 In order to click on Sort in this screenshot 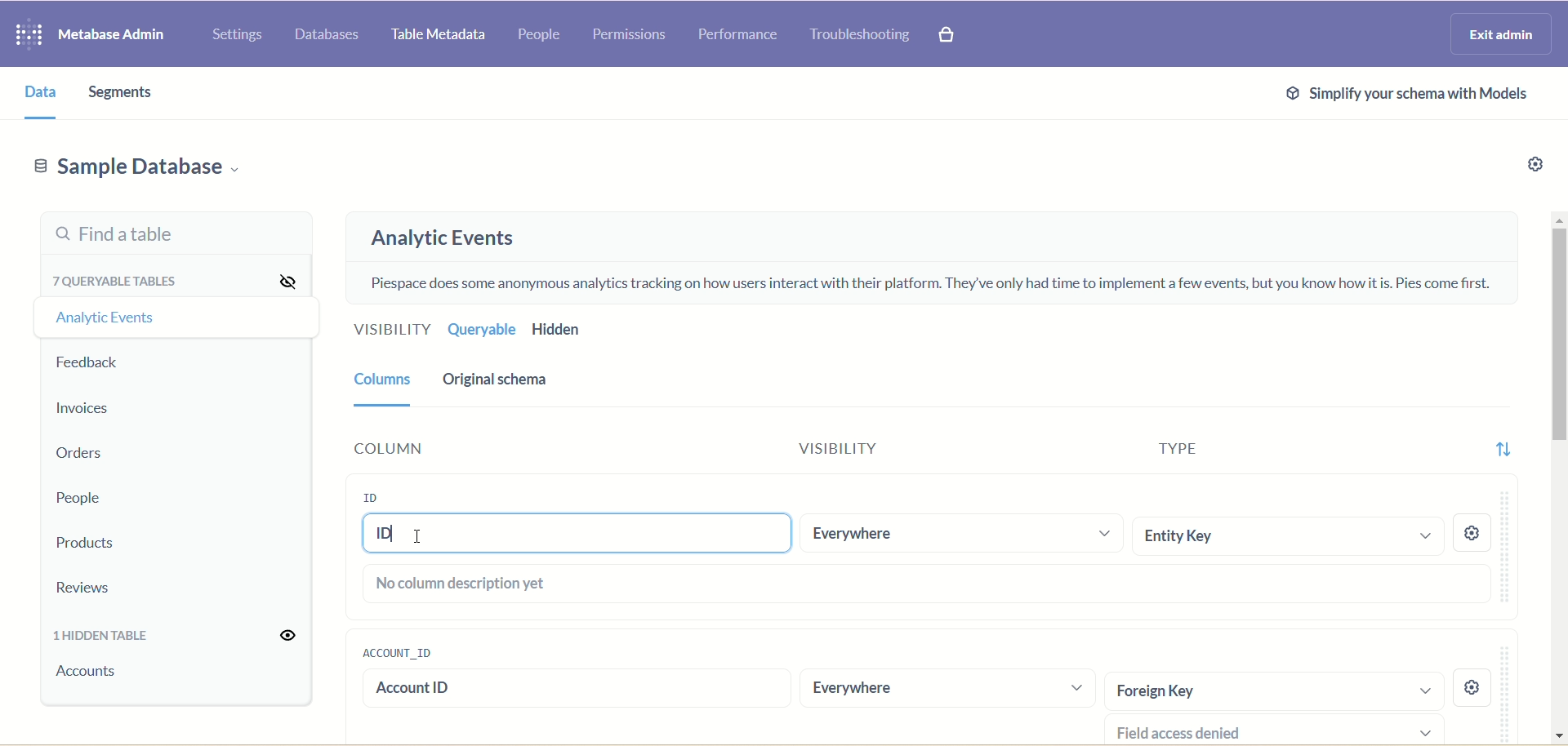, I will do `click(1506, 446)`.